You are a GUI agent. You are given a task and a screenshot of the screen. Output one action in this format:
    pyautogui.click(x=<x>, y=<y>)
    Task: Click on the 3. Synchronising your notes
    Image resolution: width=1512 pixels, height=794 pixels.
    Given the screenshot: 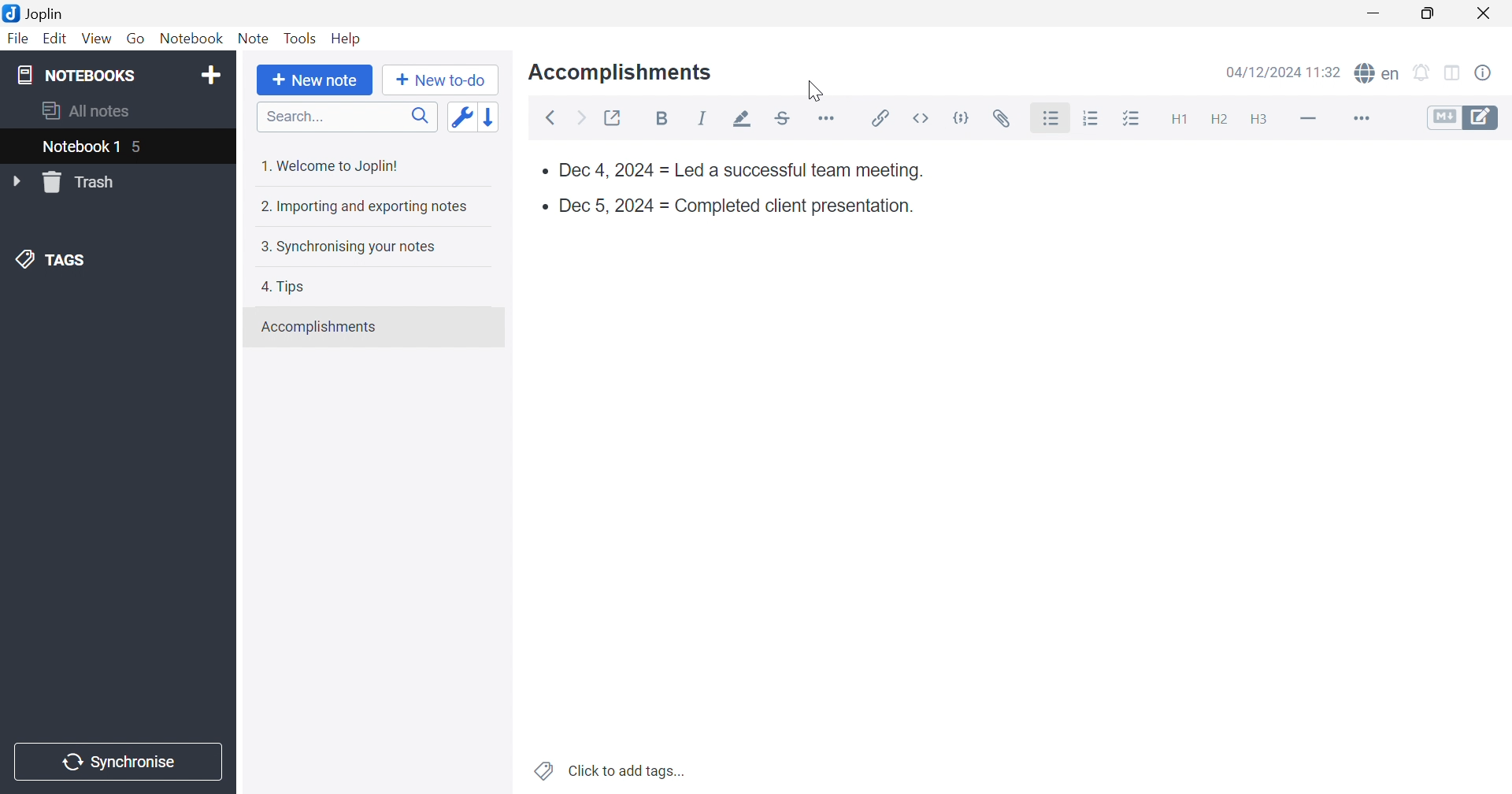 What is the action you would take?
    pyautogui.click(x=347, y=245)
    